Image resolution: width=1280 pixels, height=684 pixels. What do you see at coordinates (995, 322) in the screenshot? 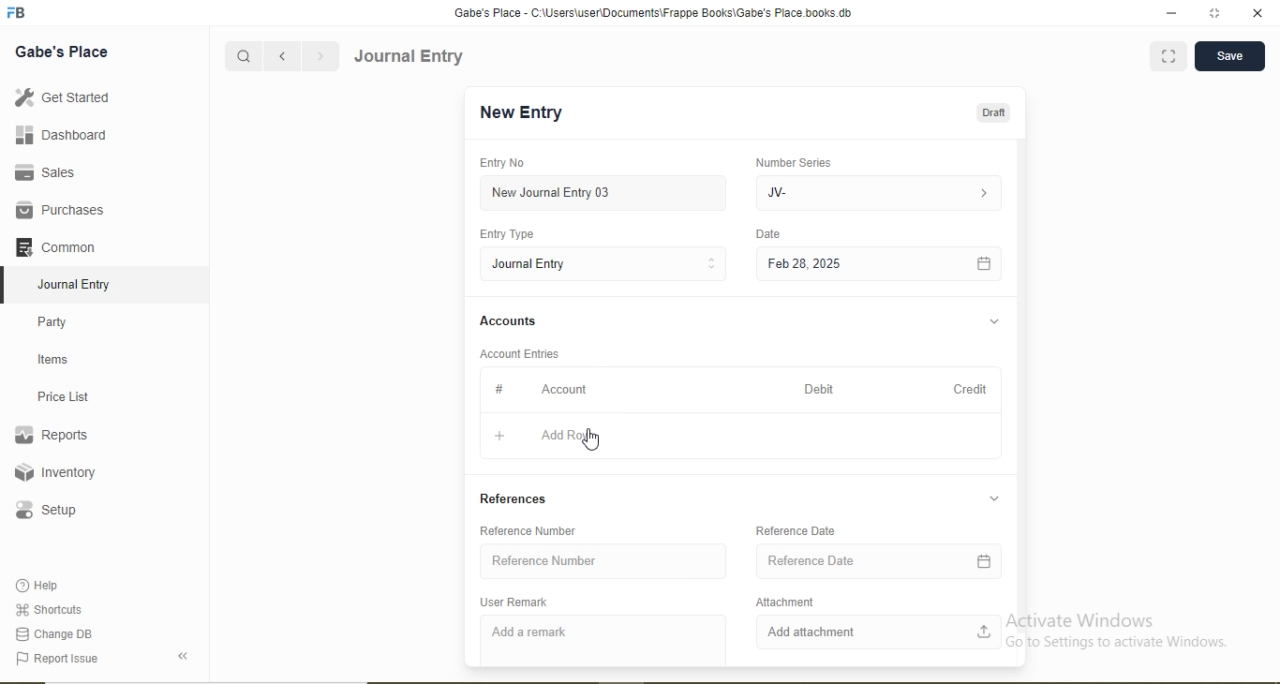
I see `Dropdown` at bounding box center [995, 322].